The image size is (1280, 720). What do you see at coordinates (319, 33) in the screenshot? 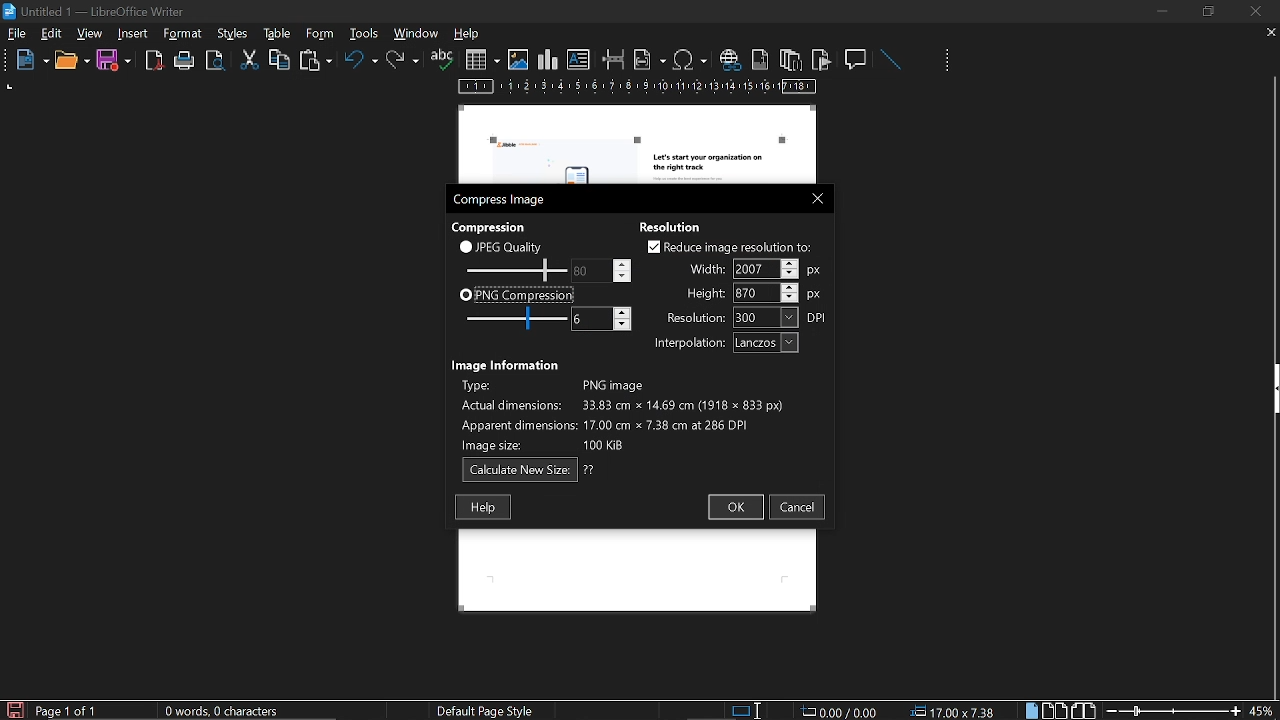
I see `table` at bounding box center [319, 33].